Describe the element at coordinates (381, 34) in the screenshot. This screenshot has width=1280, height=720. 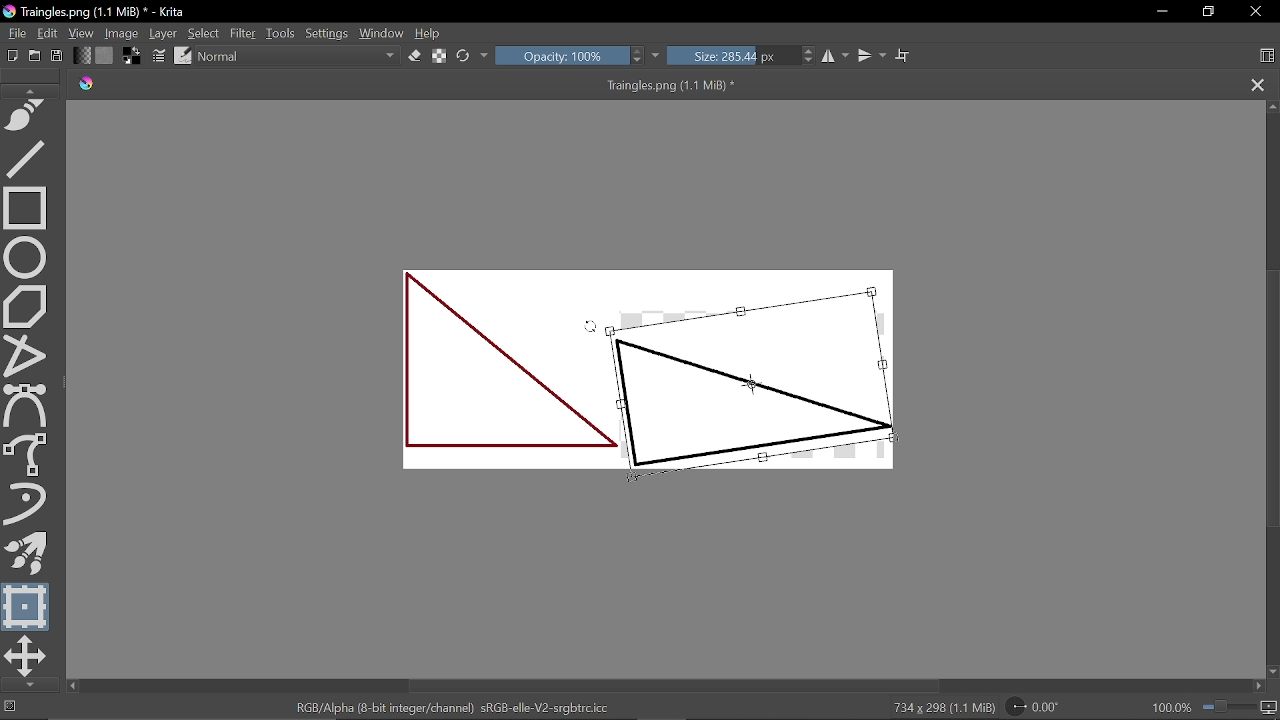
I see `Window` at that location.